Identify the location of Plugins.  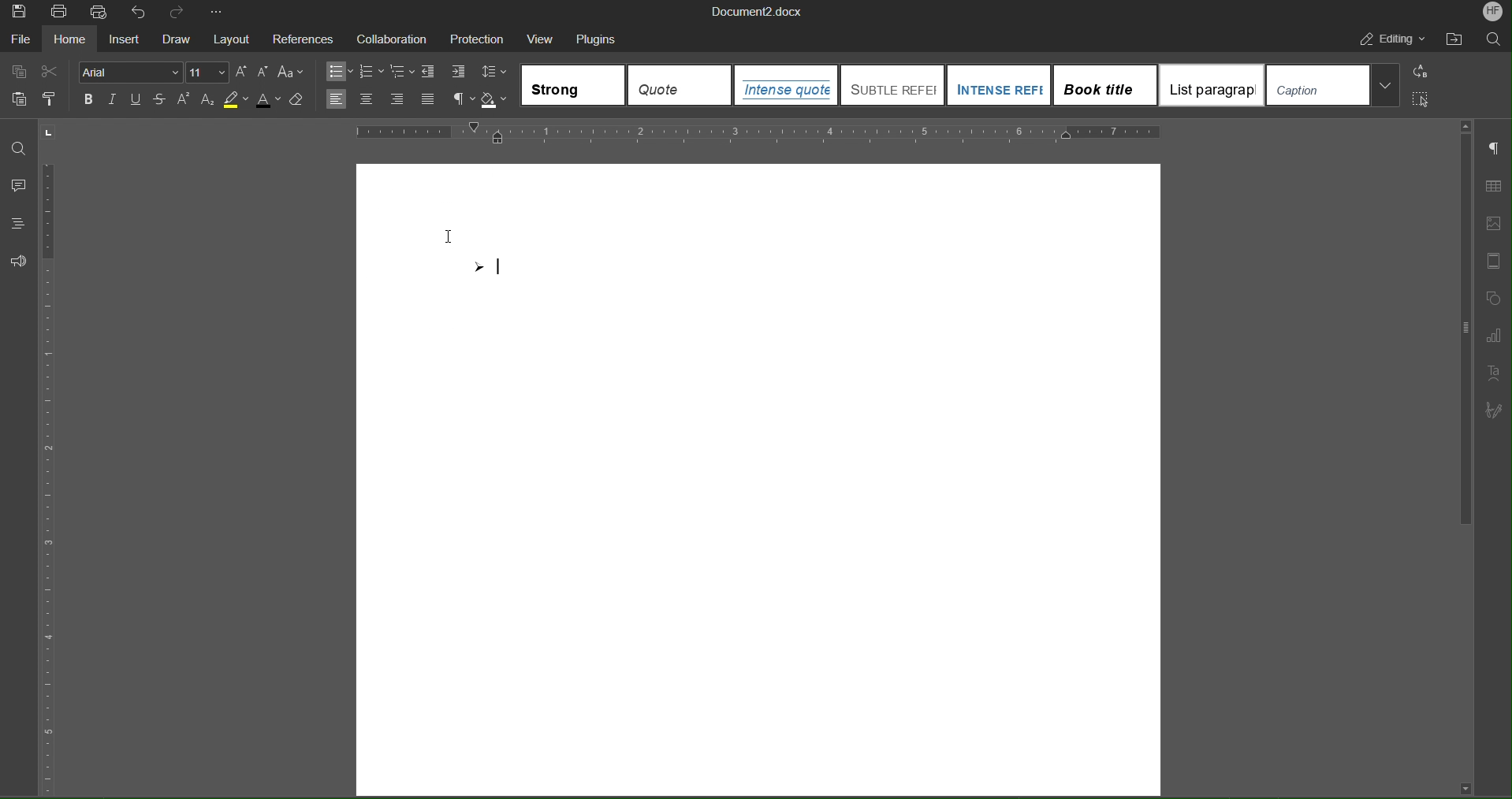
(602, 39).